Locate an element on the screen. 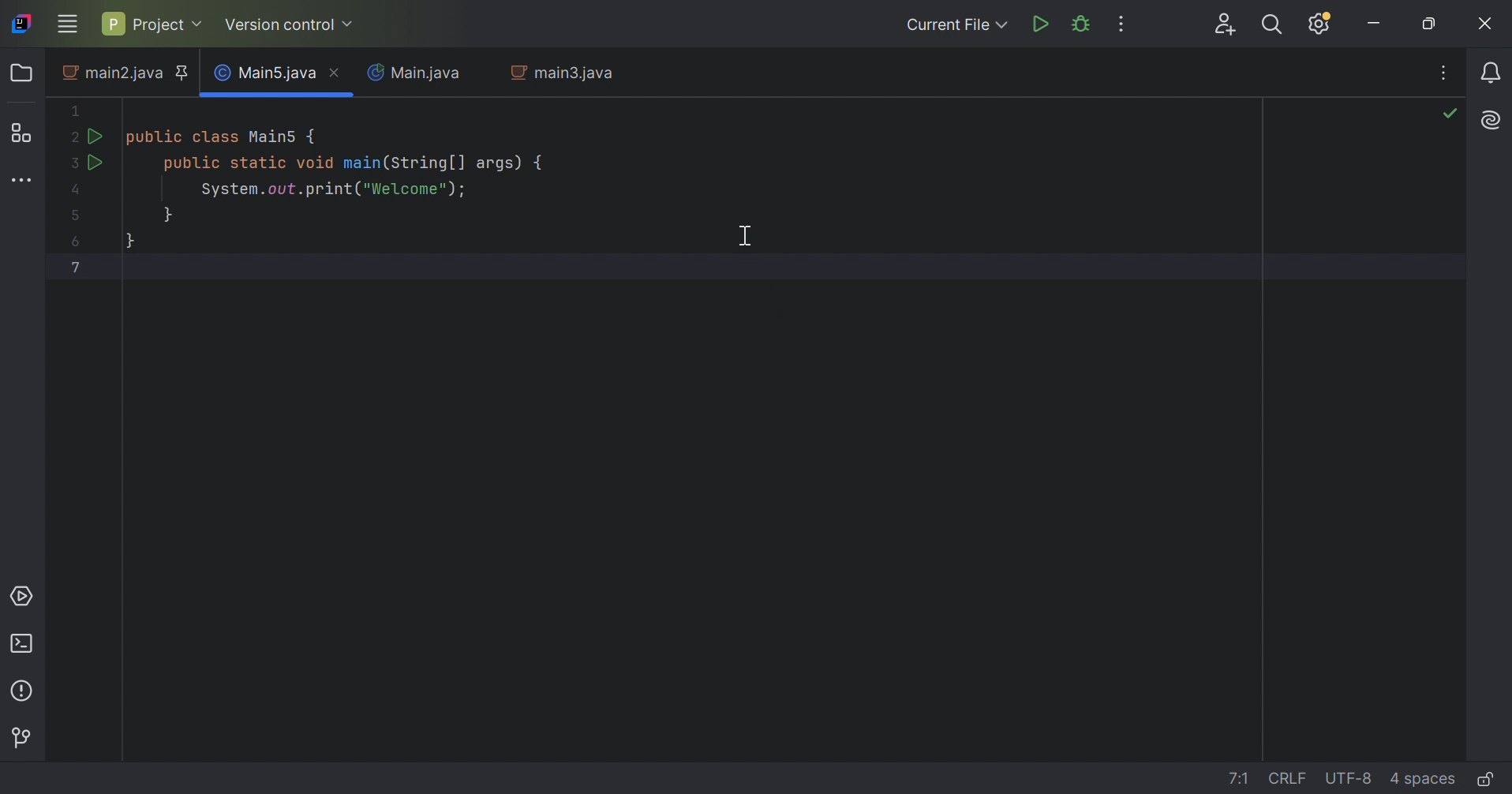 The height and width of the screenshot is (794, 1512). 5 is located at coordinates (74, 216).